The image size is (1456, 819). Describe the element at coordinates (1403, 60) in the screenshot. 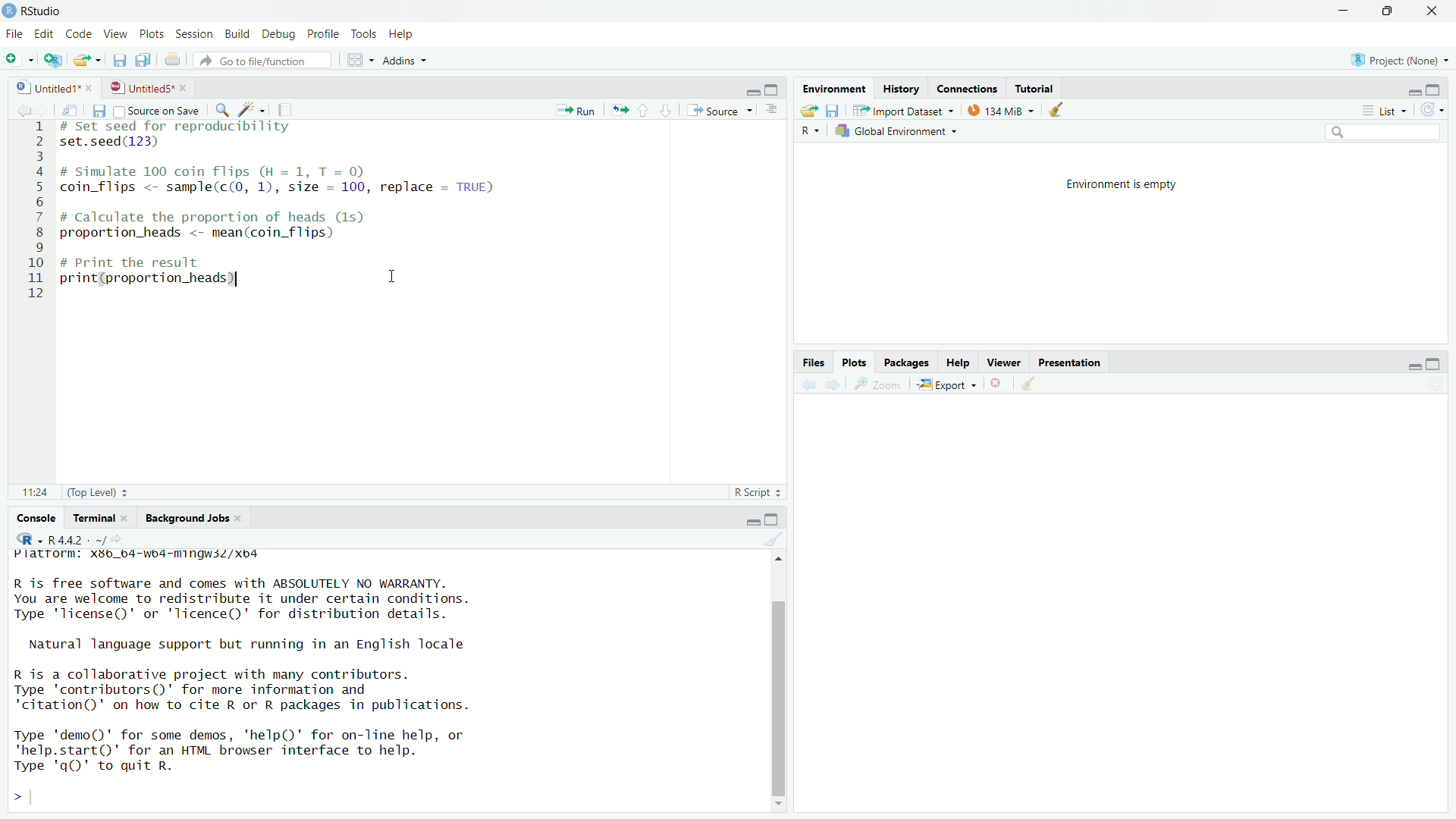

I see `project: (none)` at that location.